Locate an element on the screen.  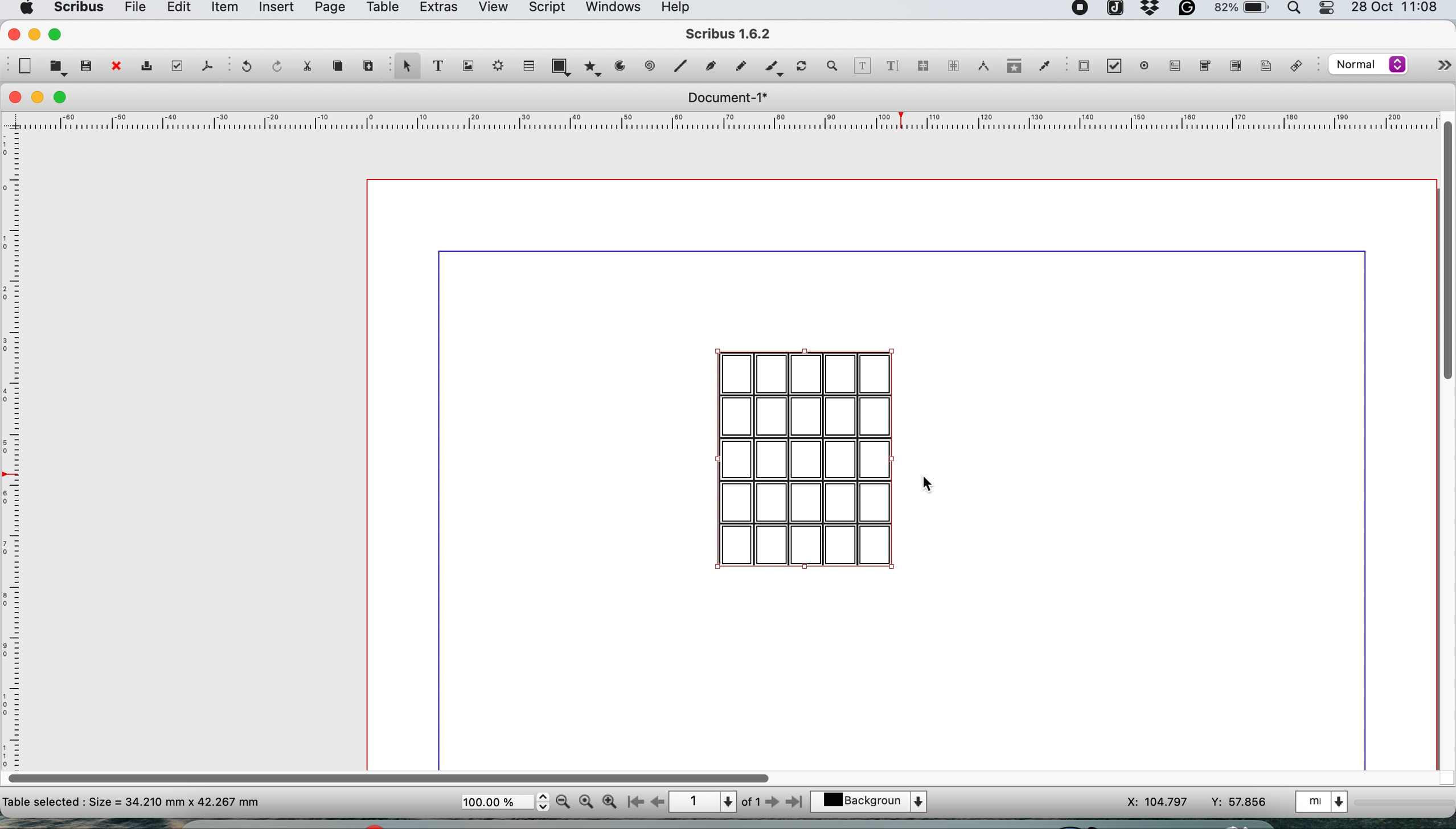
bezier curve is located at coordinates (709, 68).